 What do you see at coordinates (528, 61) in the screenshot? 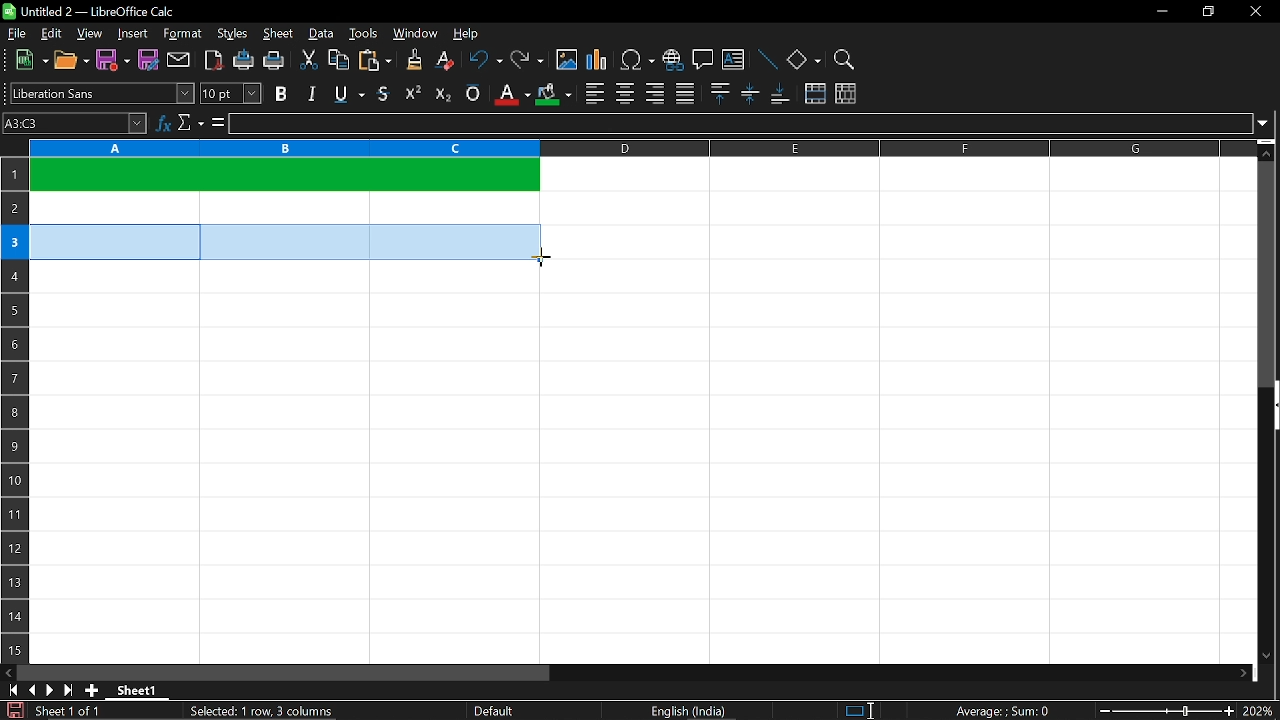
I see `redo` at bounding box center [528, 61].